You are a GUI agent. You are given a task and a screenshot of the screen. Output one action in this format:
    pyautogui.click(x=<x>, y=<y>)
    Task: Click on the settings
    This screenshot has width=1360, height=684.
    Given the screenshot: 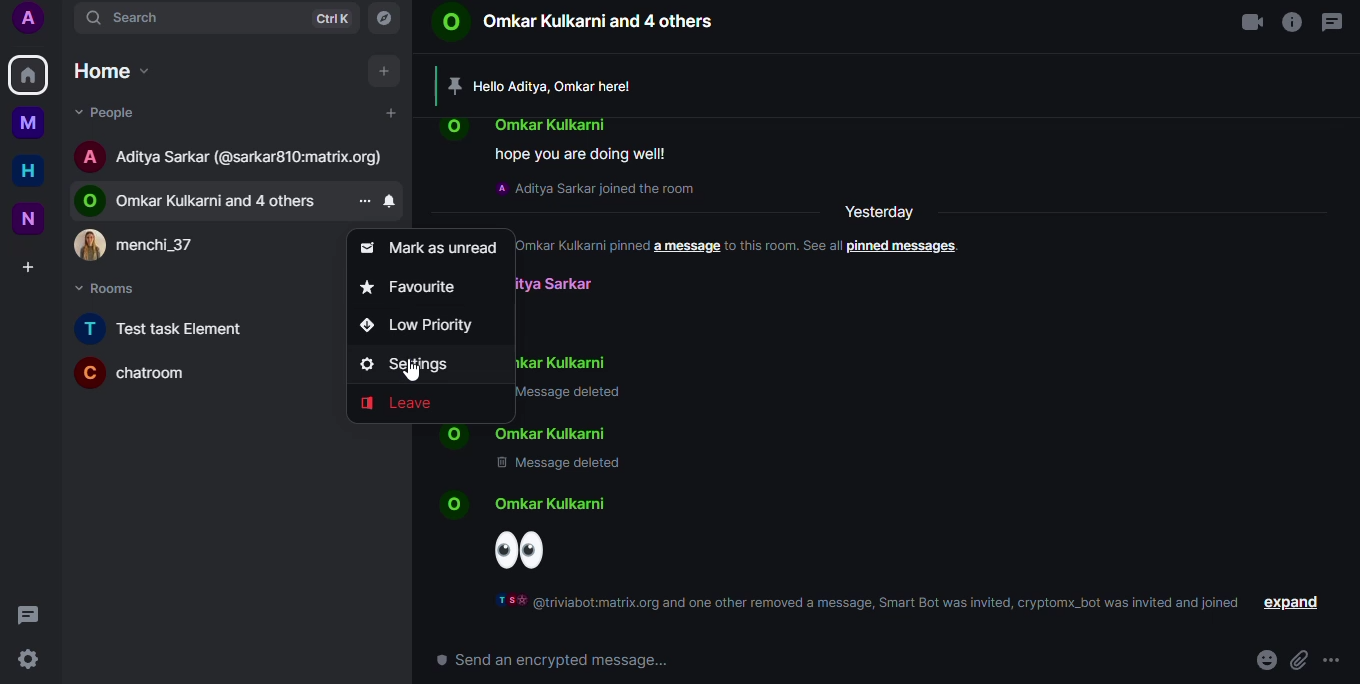 What is the action you would take?
    pyautogui.click(x=417, y=367)
    